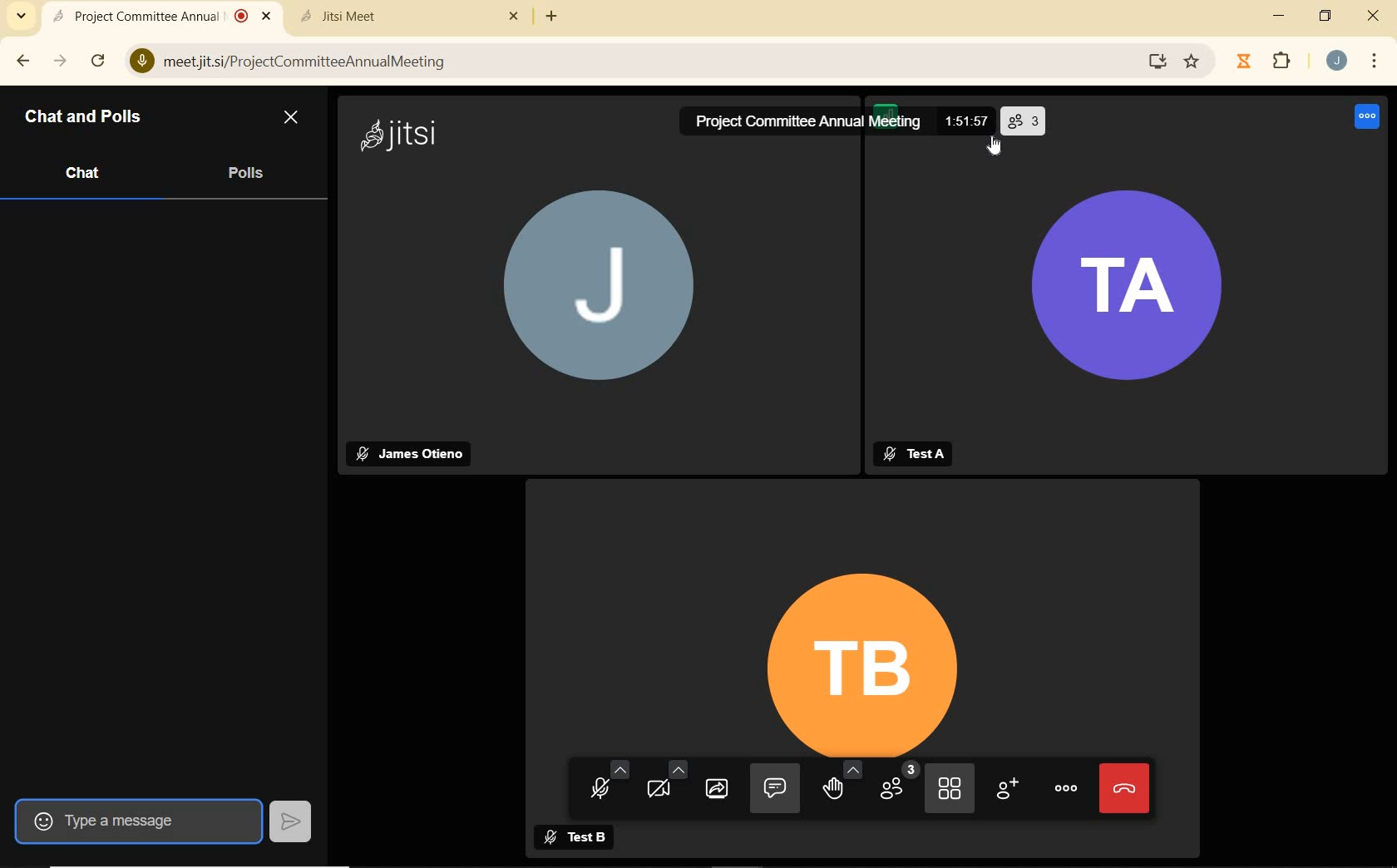  Describe the element at coordinates (590, 833) in the screenshot. I see `participant's name` at that location.